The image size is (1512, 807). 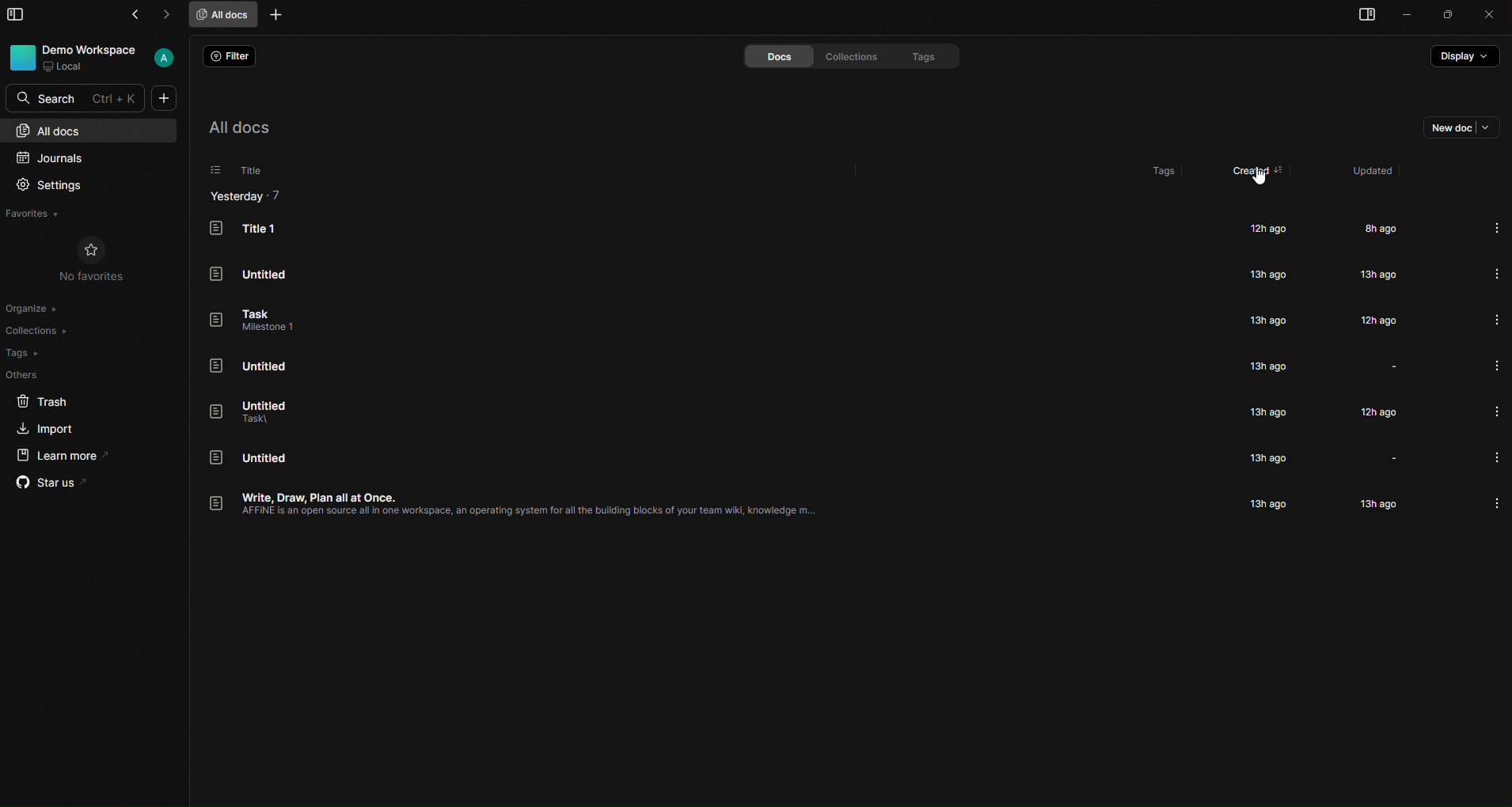 What do you see at coordinates (246, 195) in the screenshot?
I see `Yesterday - 7 ` at bounding box center [246, 195].